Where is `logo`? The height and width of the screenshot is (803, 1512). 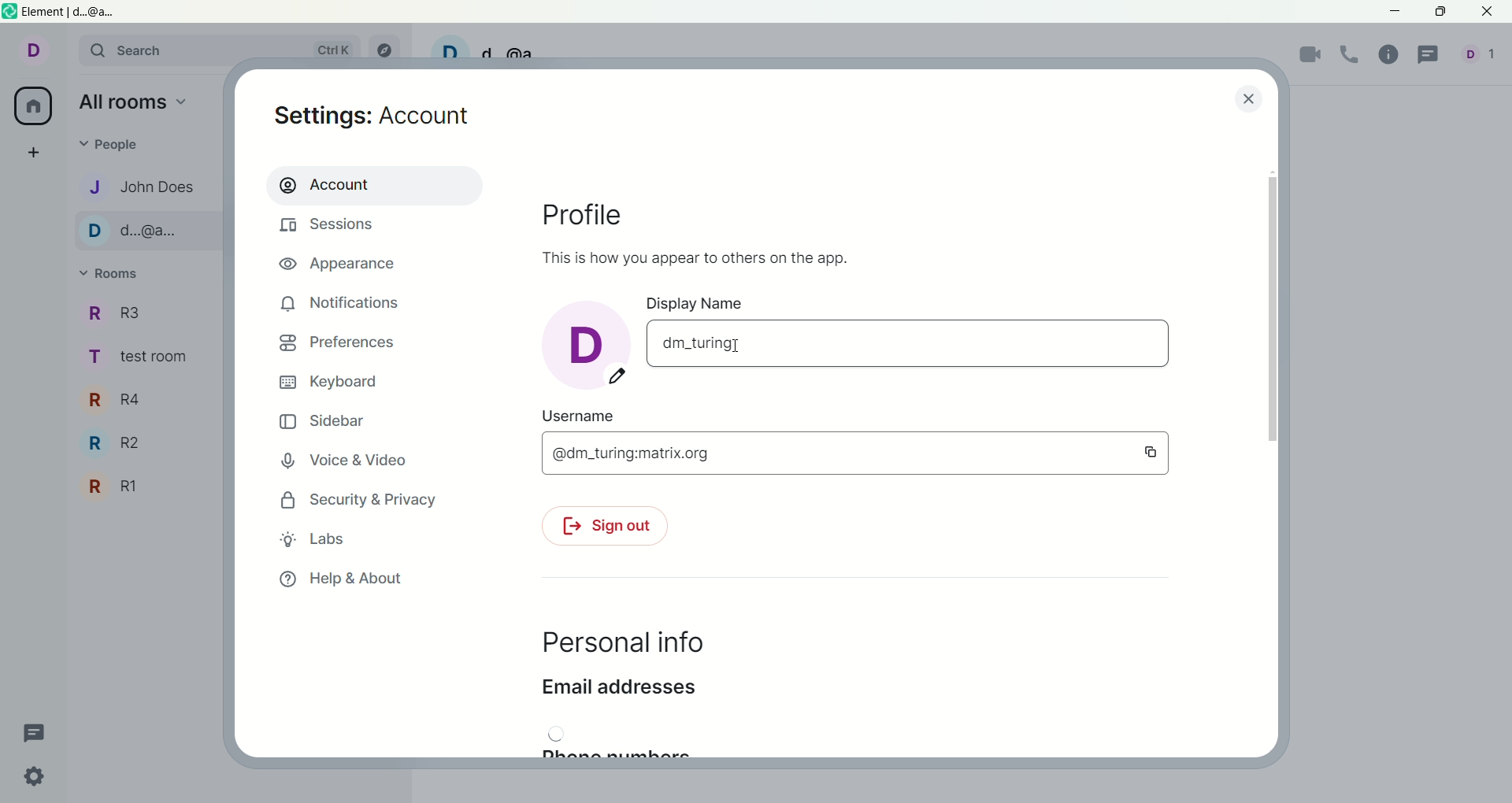 logo is located at coordinates (10, 13).